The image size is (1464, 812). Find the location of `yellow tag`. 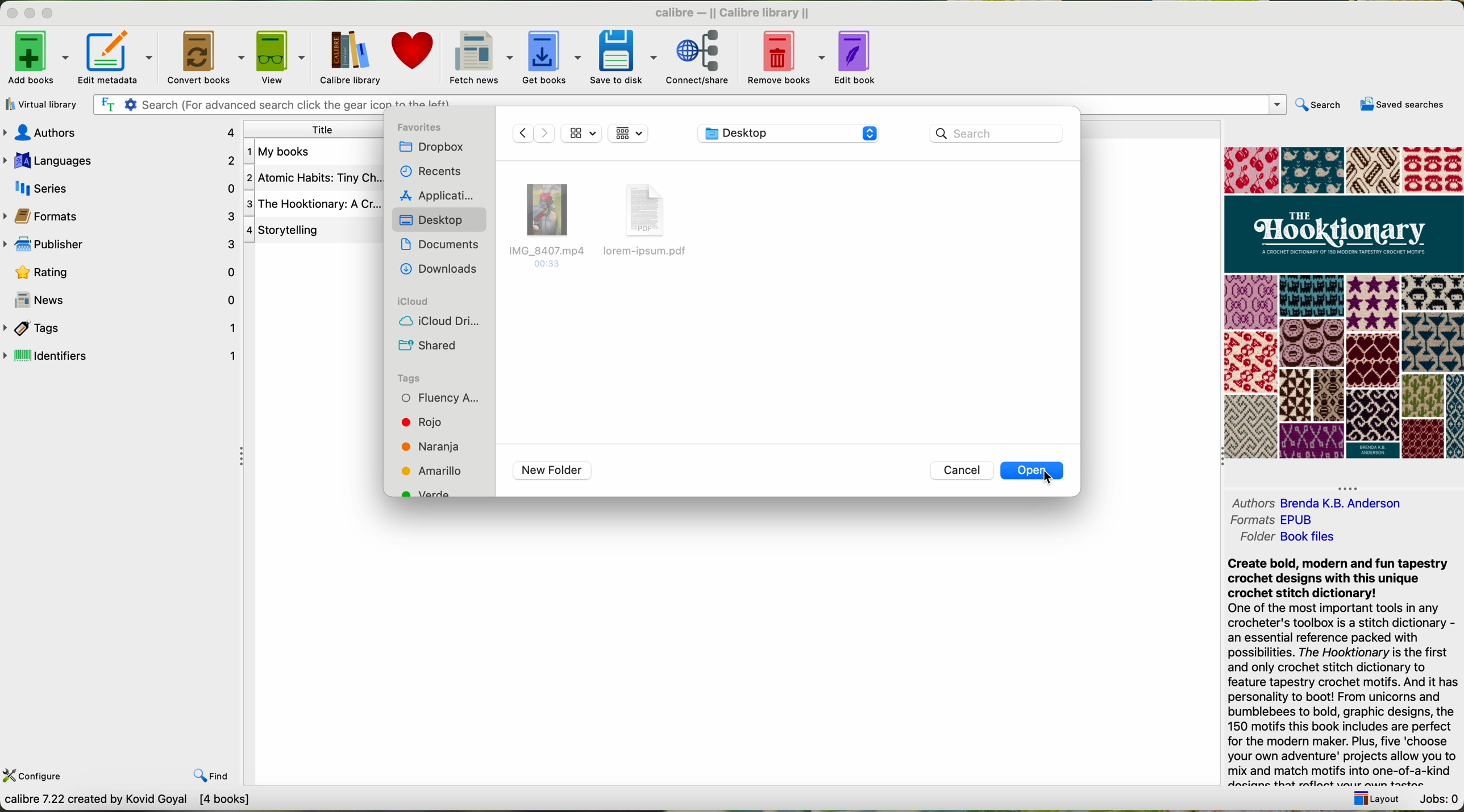

yellow tag is located at coordinates (432, 470).